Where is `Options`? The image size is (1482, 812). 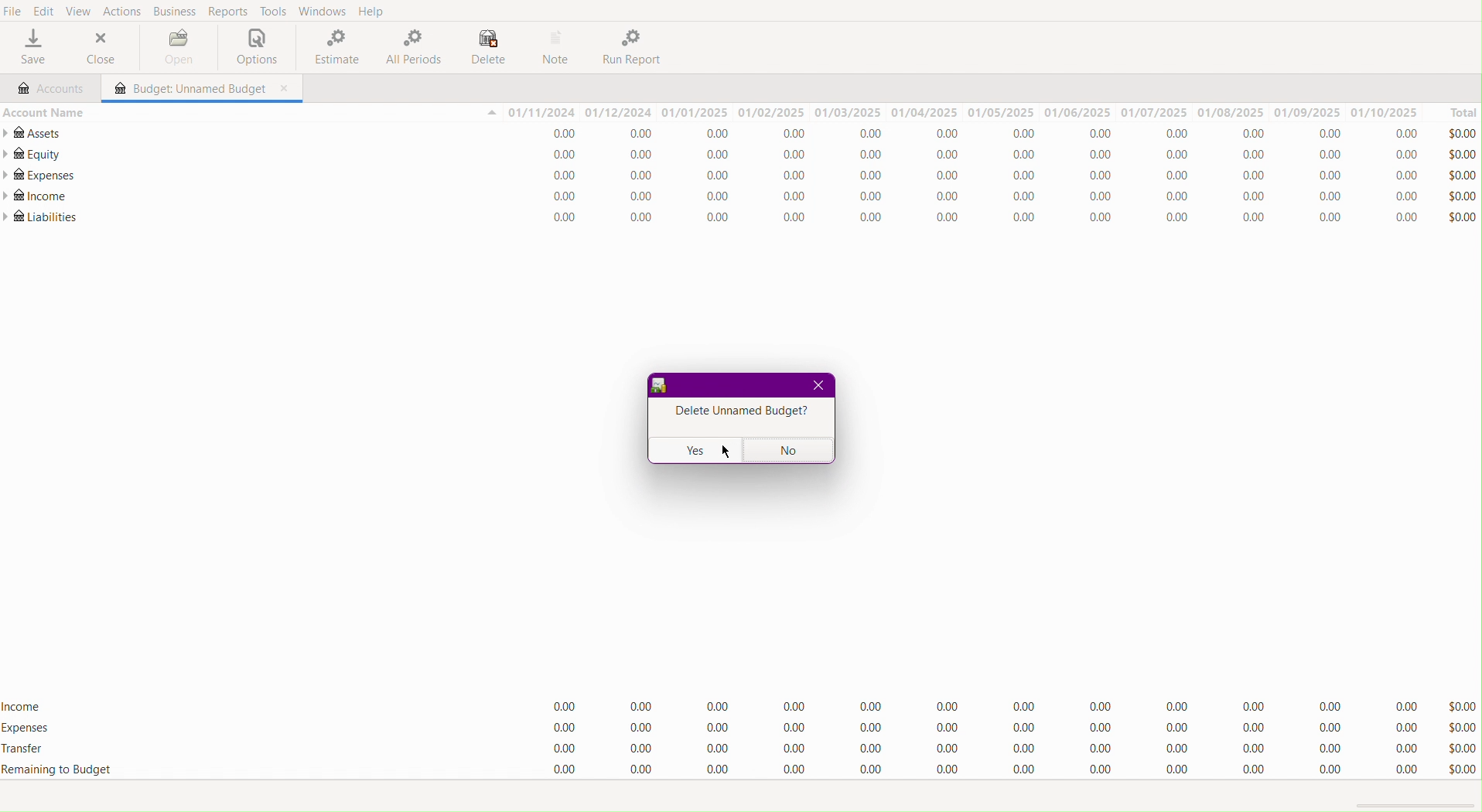
Options is located at coordinates (253, 48).